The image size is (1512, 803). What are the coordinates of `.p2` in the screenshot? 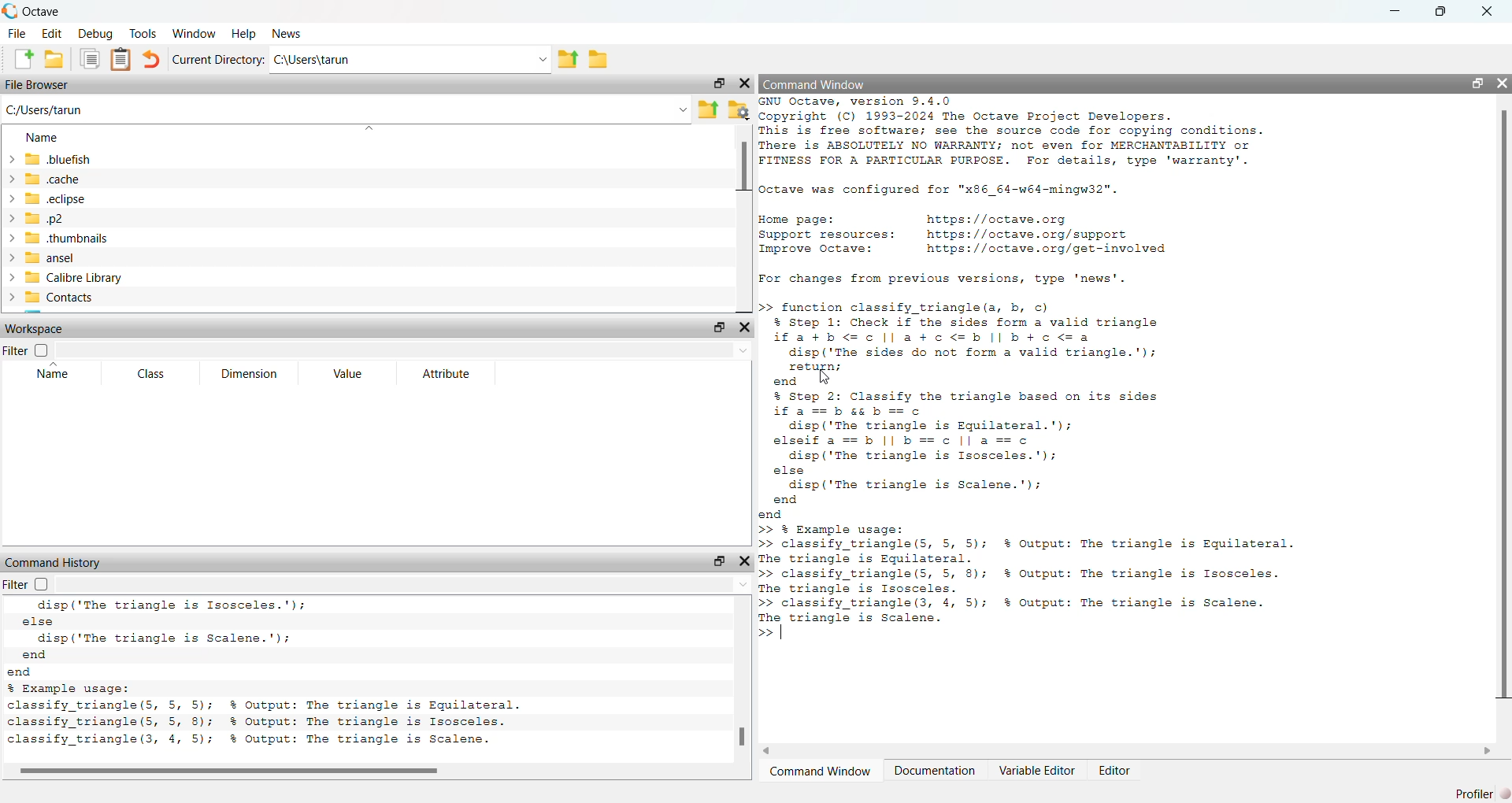 It's located at (57, 218).